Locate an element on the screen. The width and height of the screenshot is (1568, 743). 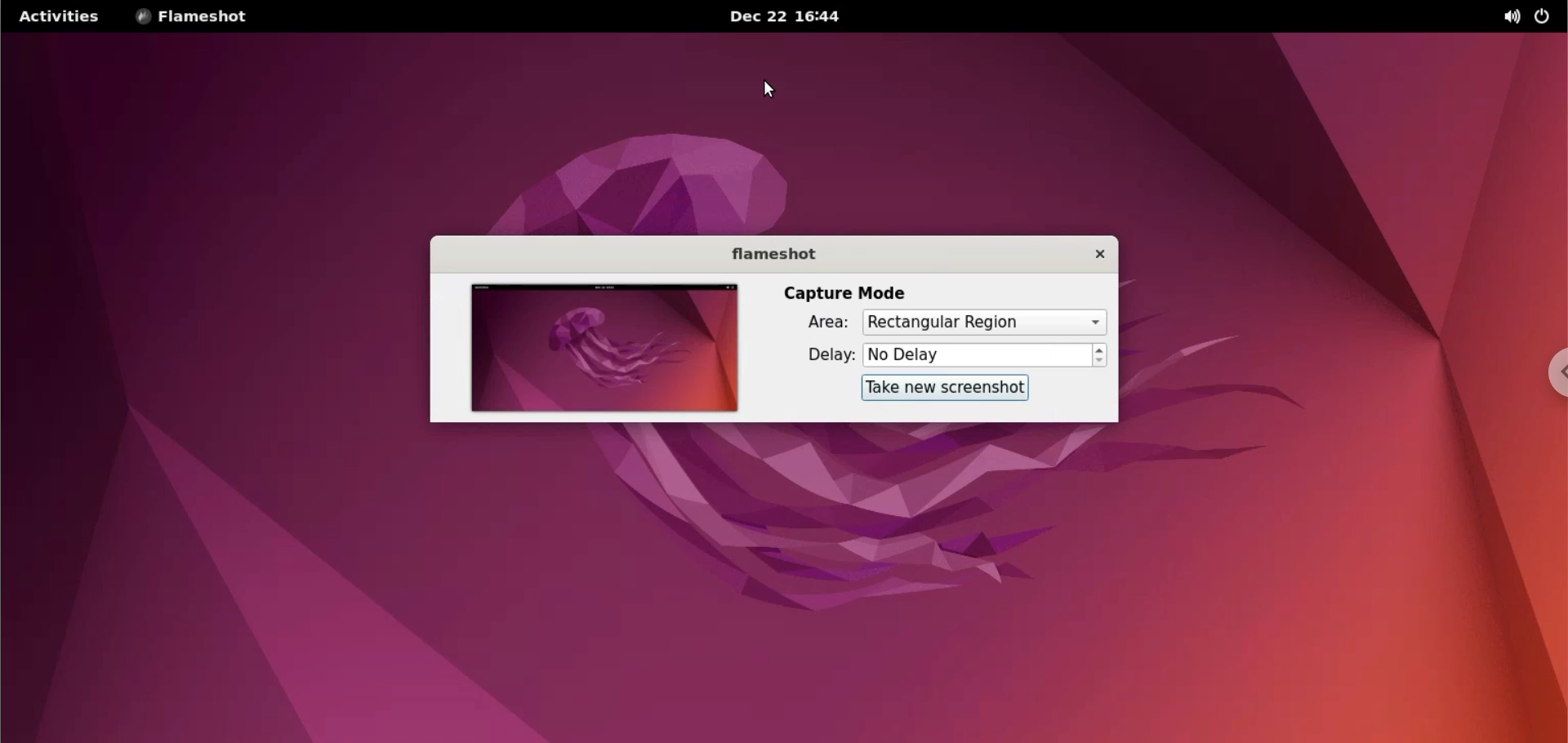
flameshot options is located at coordinates (194, 16).